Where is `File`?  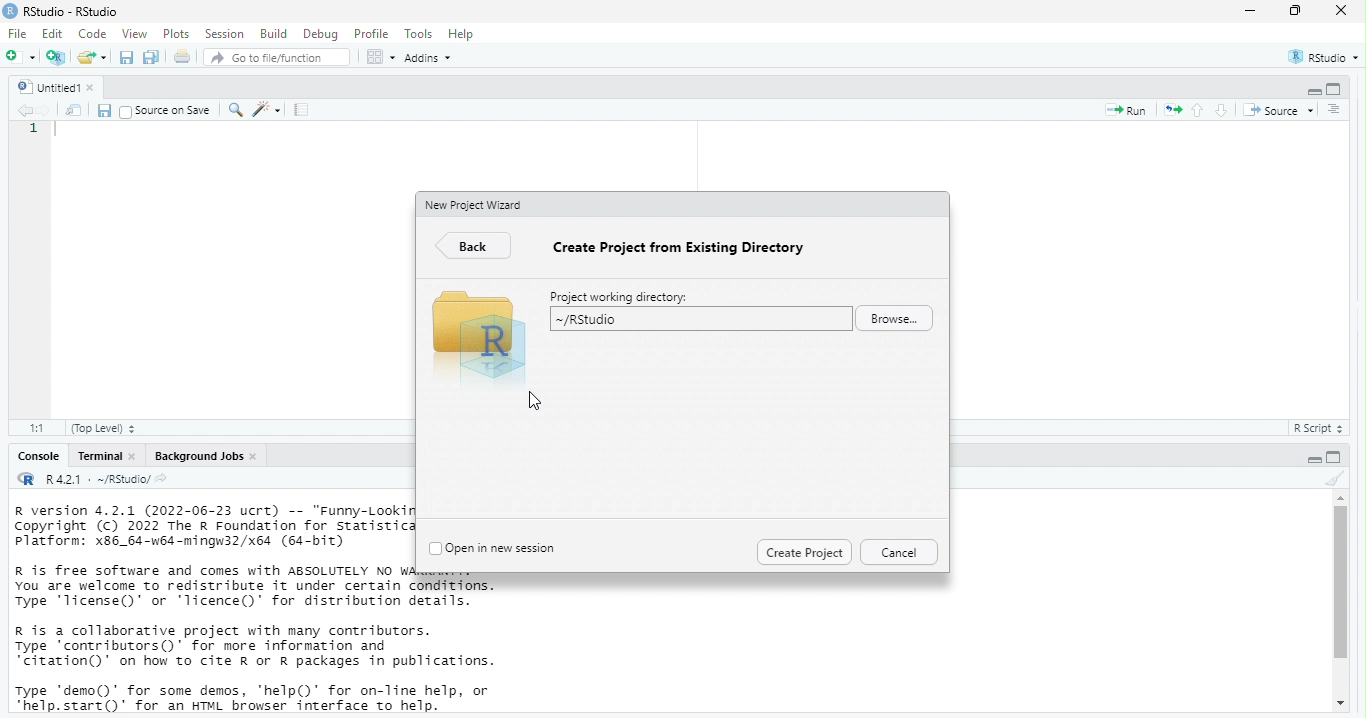
File is located at coordinates (18, 34).